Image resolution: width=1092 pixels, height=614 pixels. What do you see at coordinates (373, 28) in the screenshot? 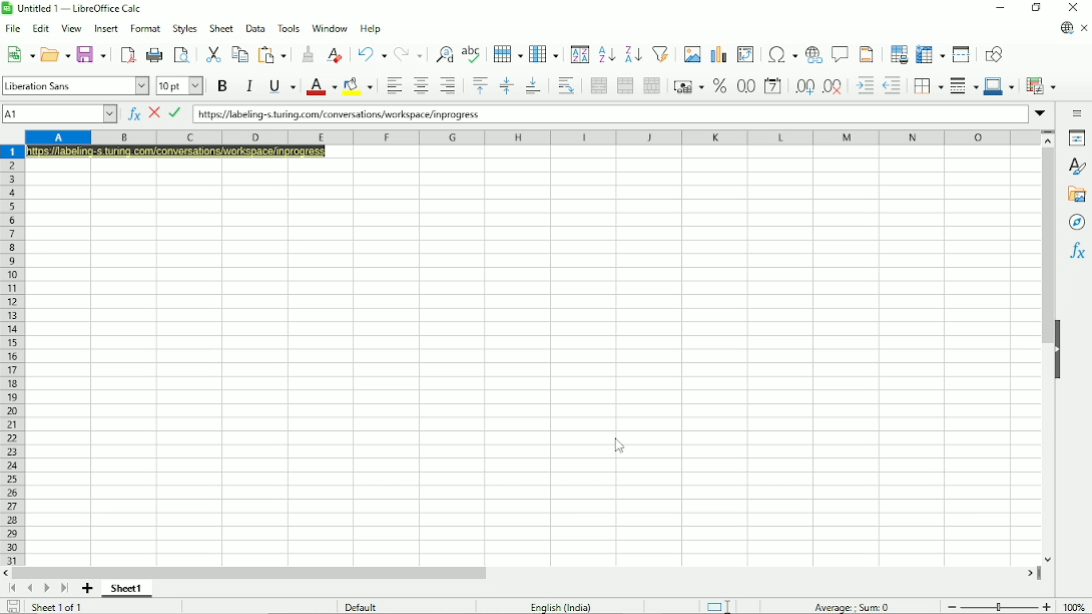
I see `help` at bounding box center [373, 28].